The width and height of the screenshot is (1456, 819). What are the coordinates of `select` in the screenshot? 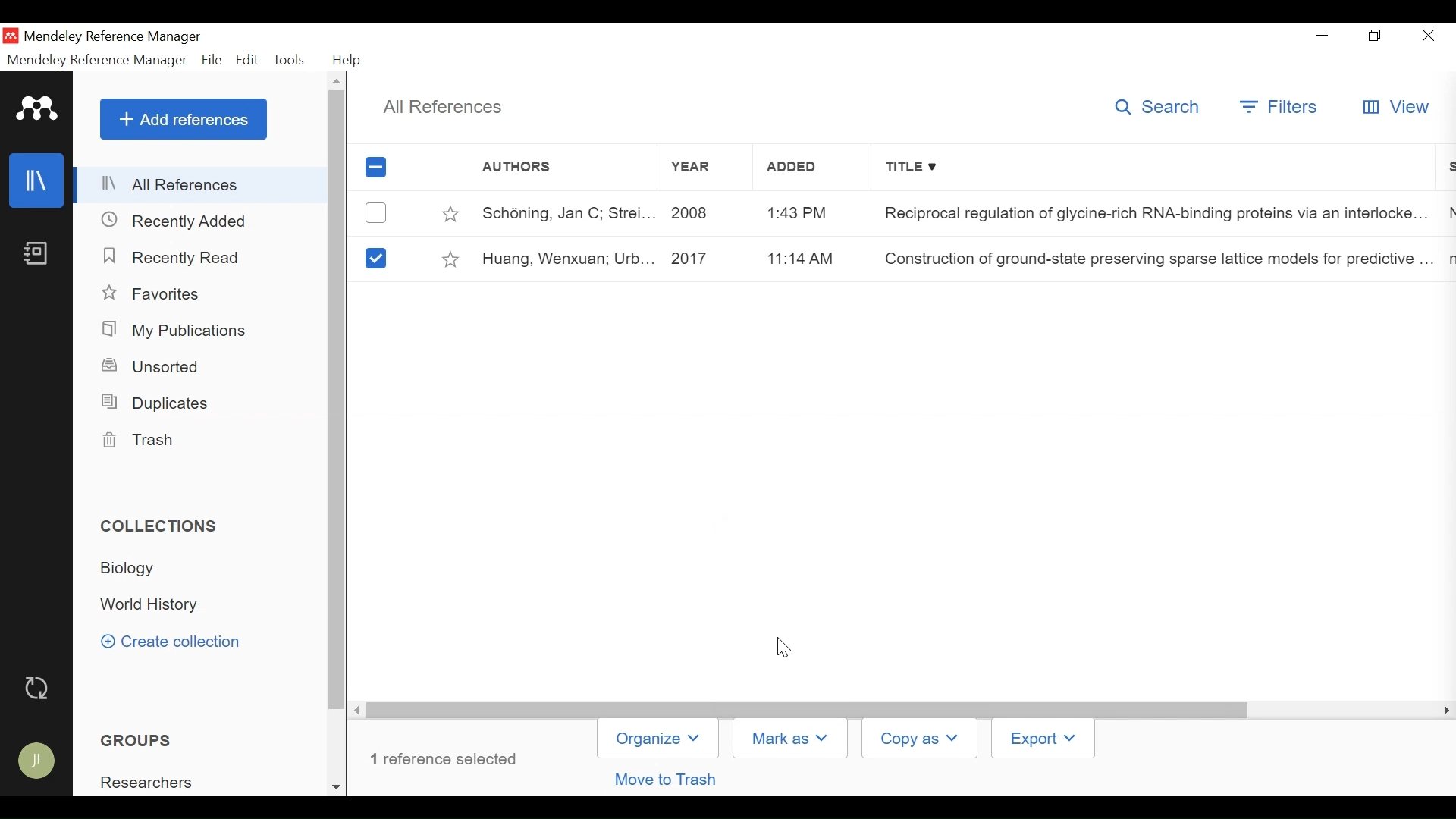 It's located at (375, 257).